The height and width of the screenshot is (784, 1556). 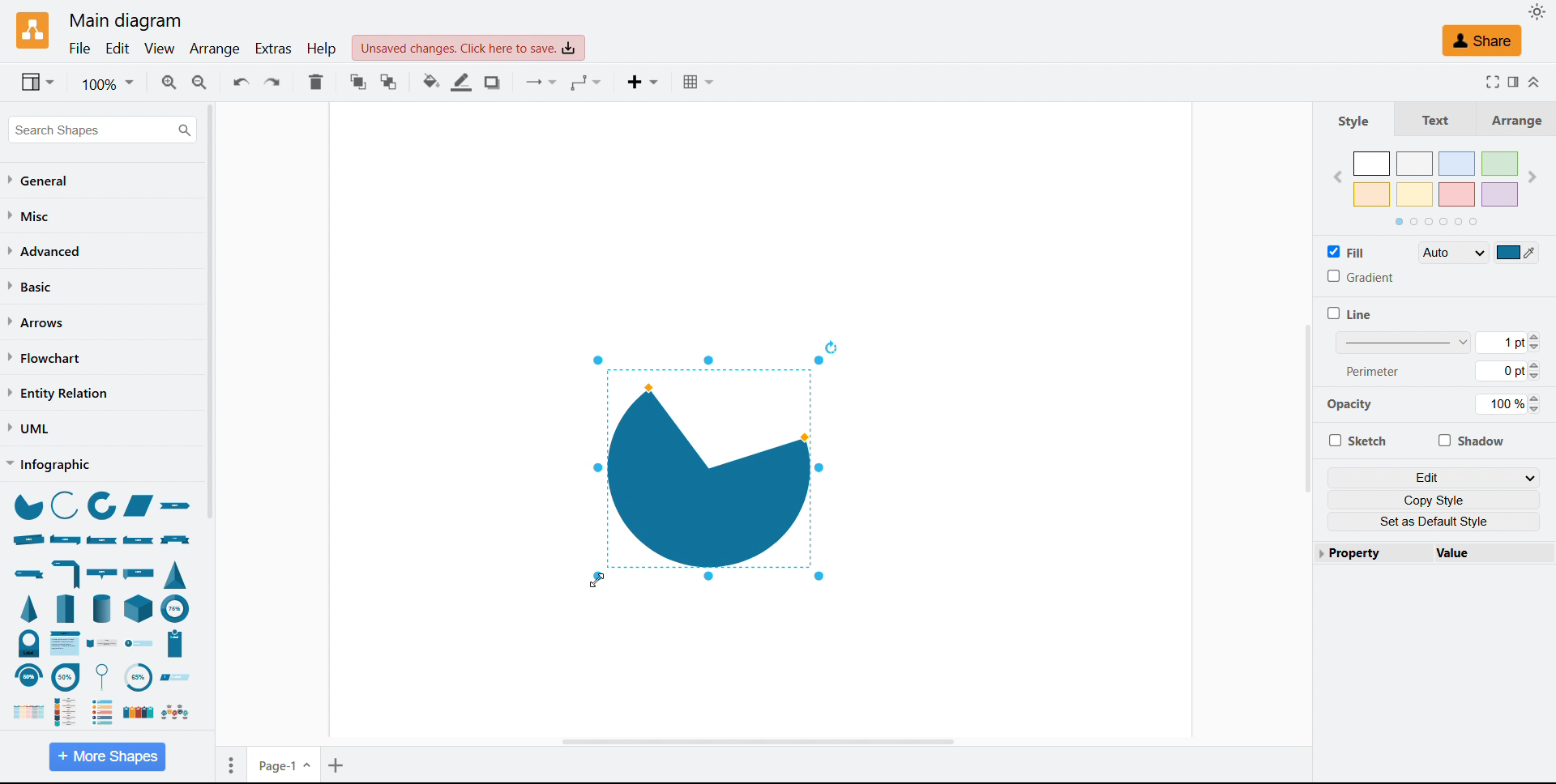 I want to click on Zoom out , so click(x=201, y=82).